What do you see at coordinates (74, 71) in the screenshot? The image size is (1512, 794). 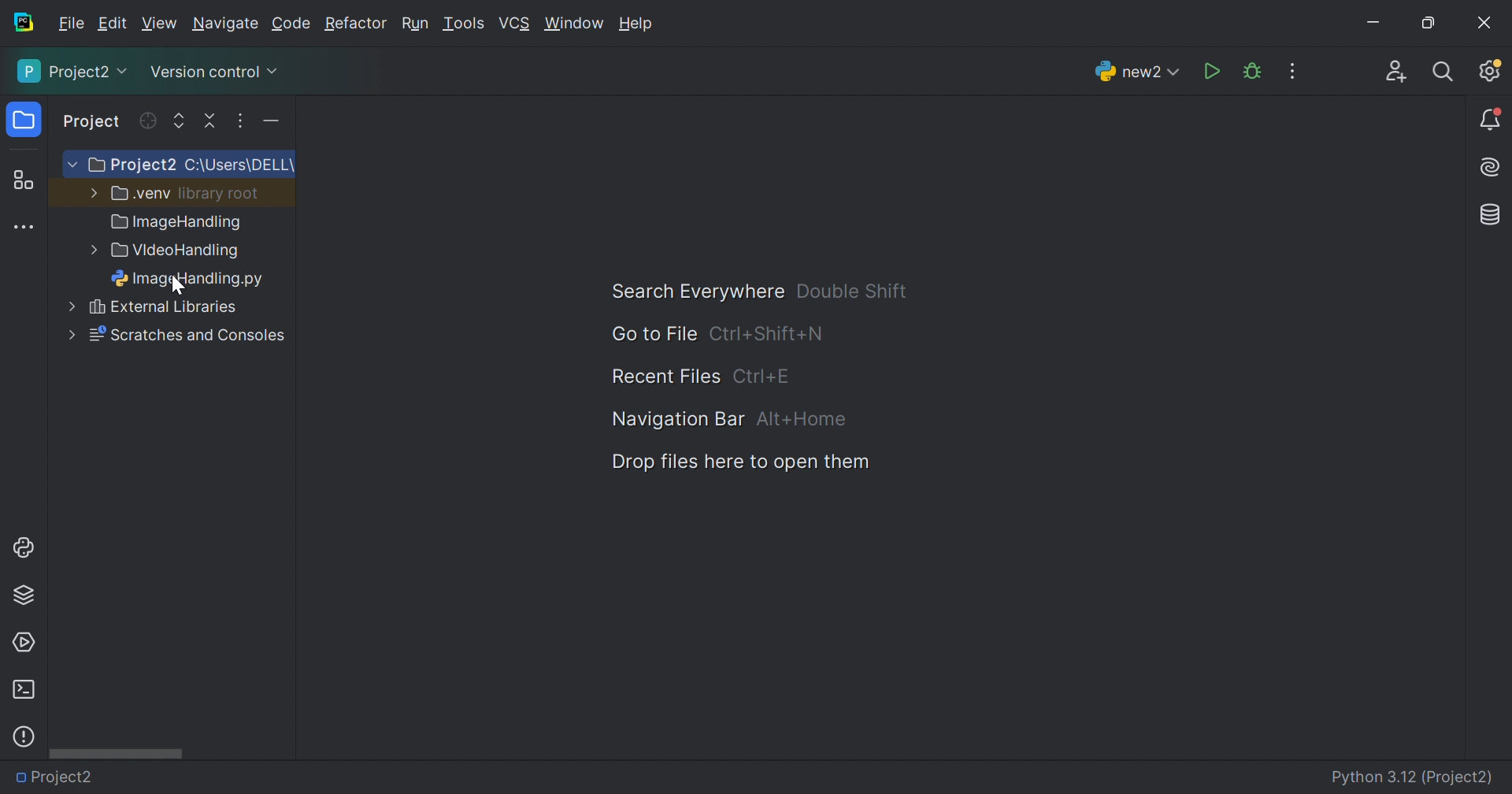 I see `Project2` at bounding box center [74, 71].